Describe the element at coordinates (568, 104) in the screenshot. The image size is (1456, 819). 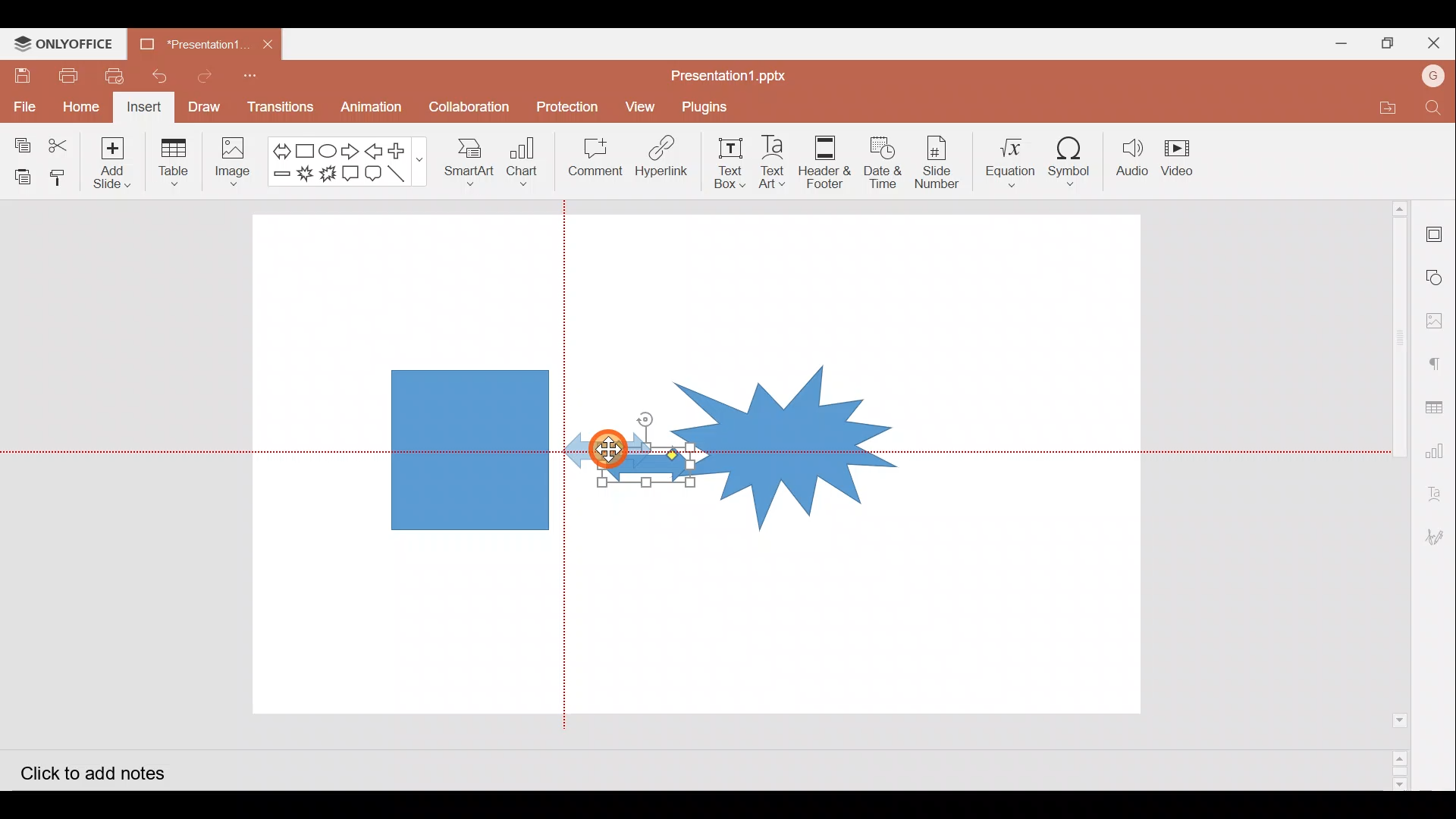
I see `Protection` at that location.